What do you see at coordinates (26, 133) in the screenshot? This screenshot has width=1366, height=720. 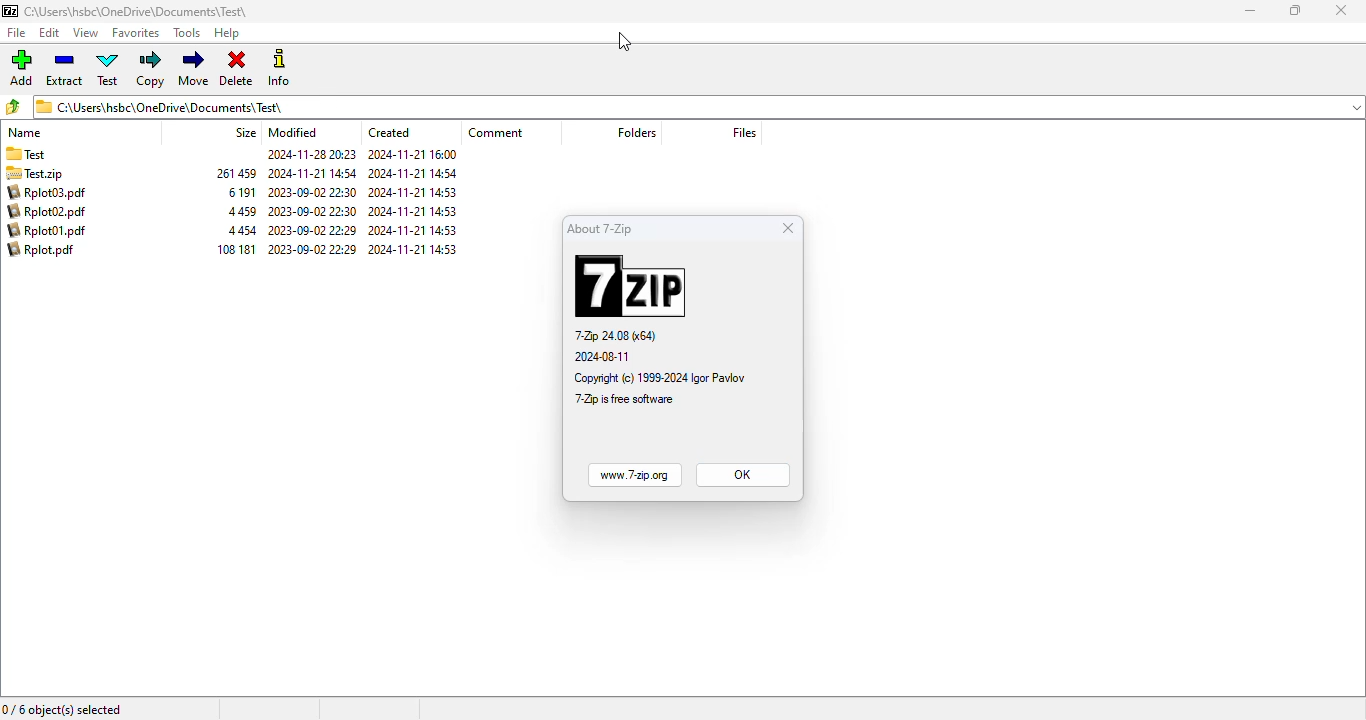 I see `name` at bounding box center [26, 133].